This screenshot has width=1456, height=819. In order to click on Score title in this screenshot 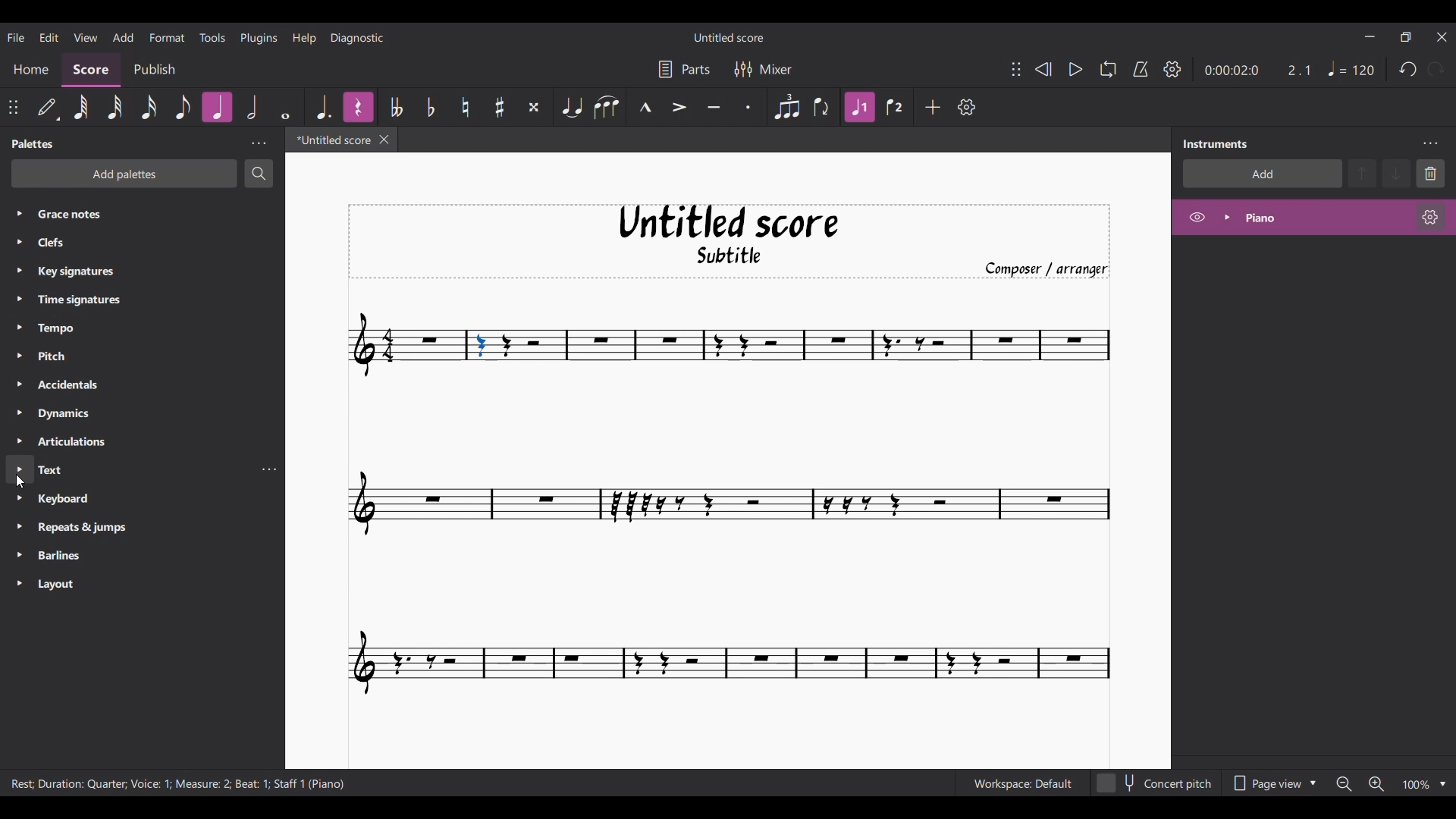, I will do `click(727, 36)`.